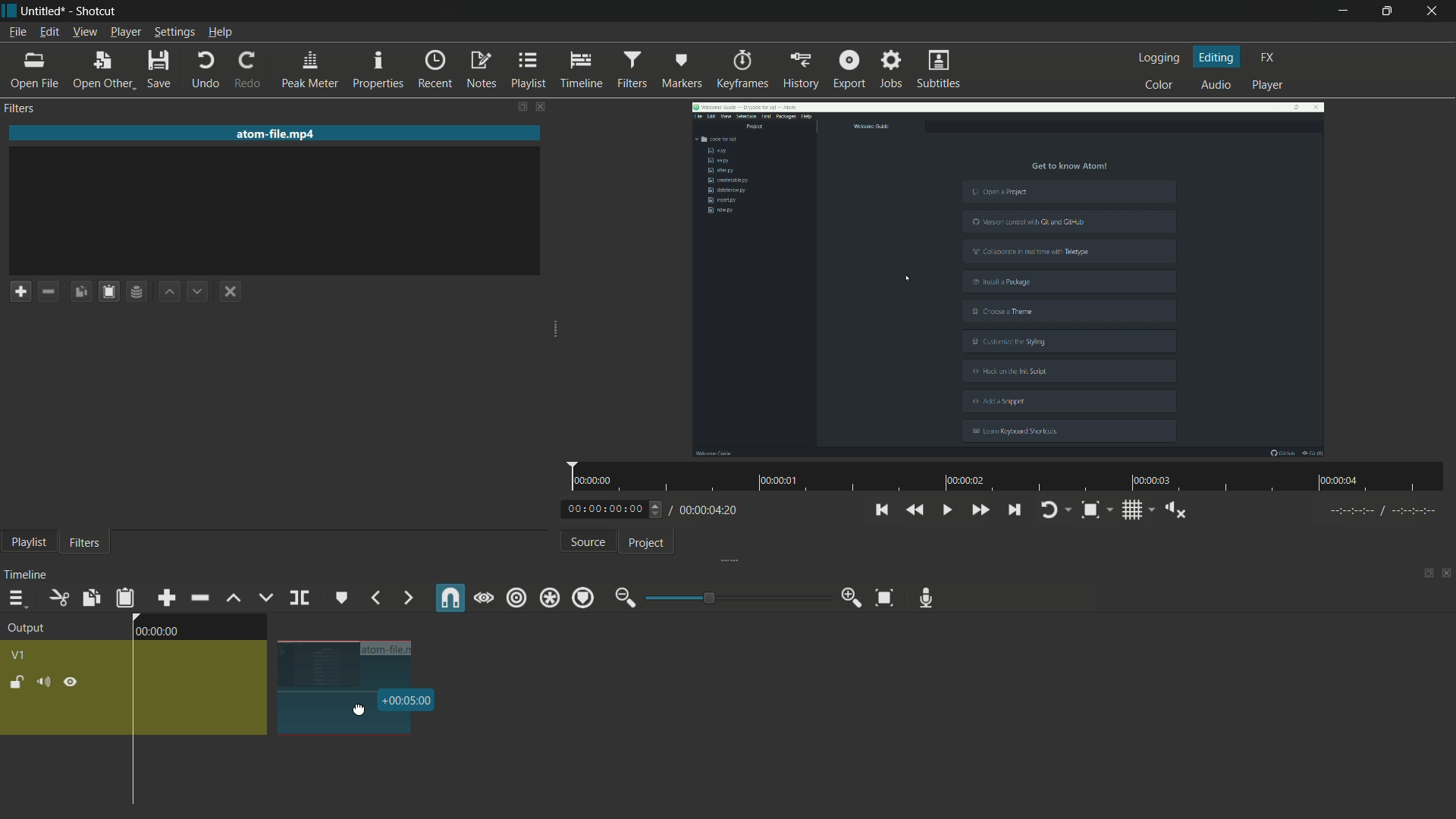  Describe the element at coordinates (299, 598) in the screenshot. I see `split at playhead` at that location.